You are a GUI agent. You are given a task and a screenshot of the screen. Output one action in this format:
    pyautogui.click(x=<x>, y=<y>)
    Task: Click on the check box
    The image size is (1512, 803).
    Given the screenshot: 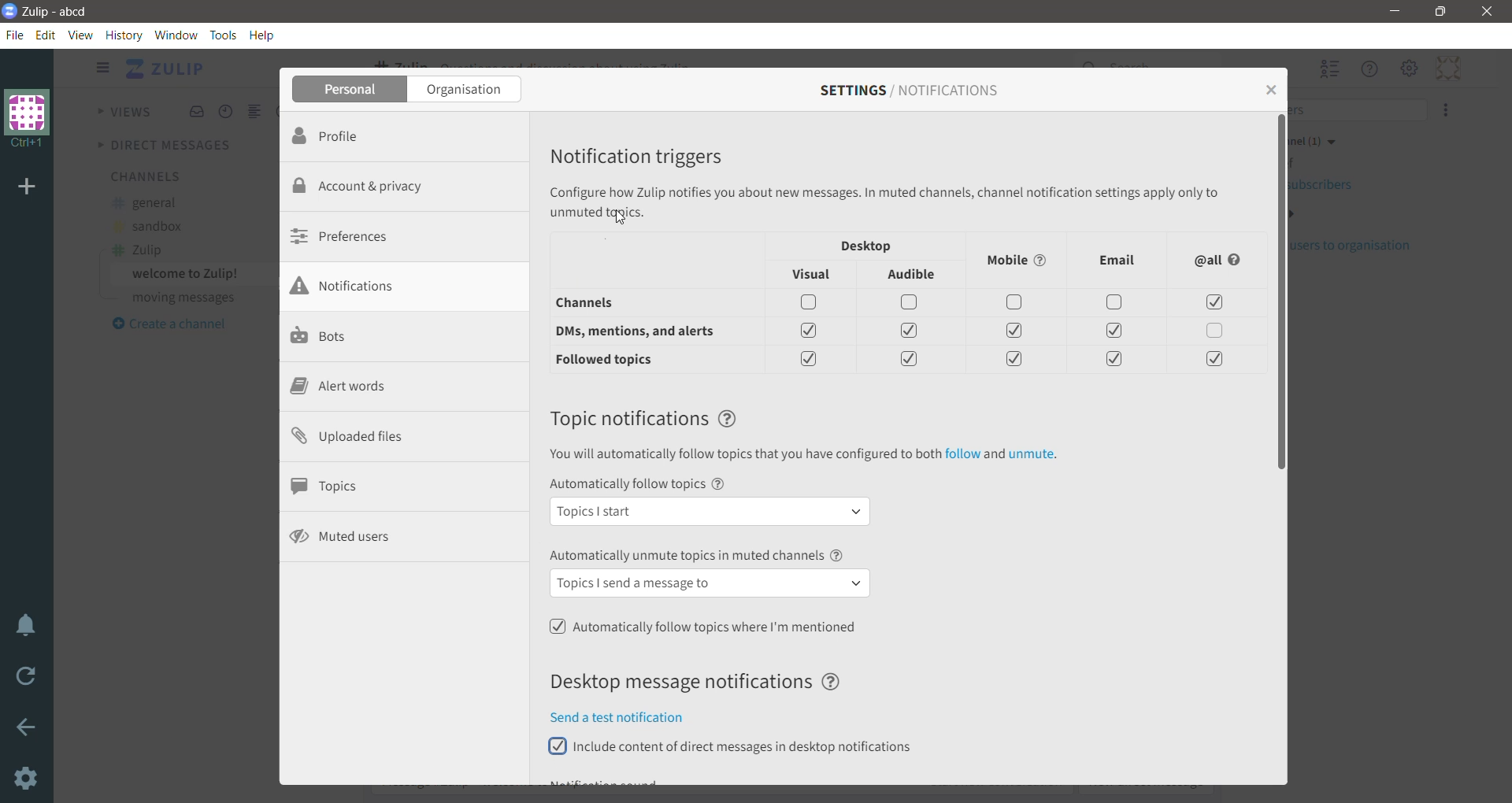 What is the action you would take?
    pyautogui.click(x=1011, y=361)
    